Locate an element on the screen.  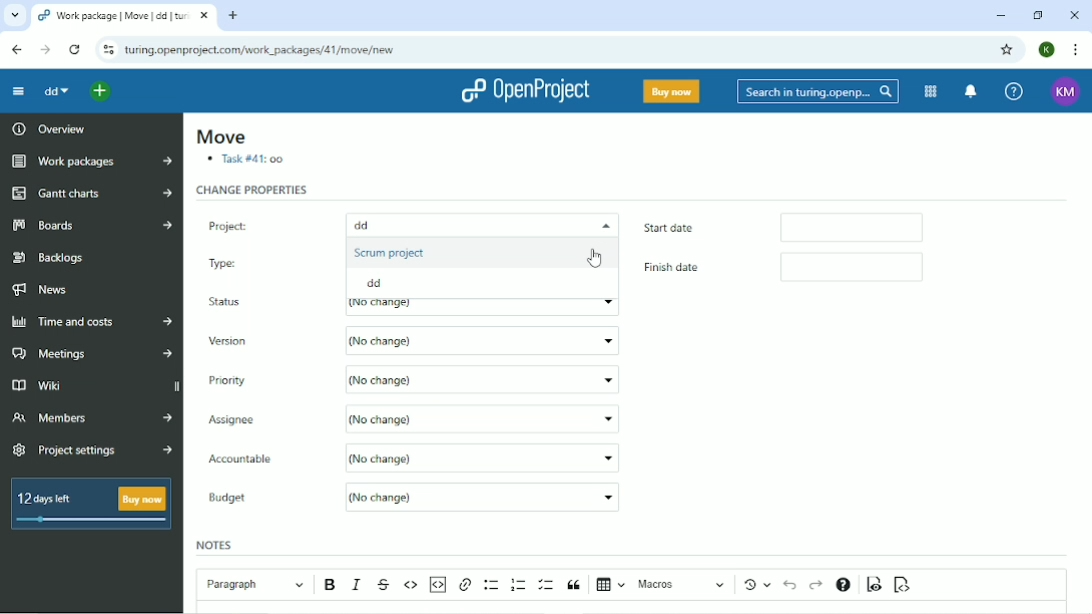
Work packages is located at coordinates (91, 162).